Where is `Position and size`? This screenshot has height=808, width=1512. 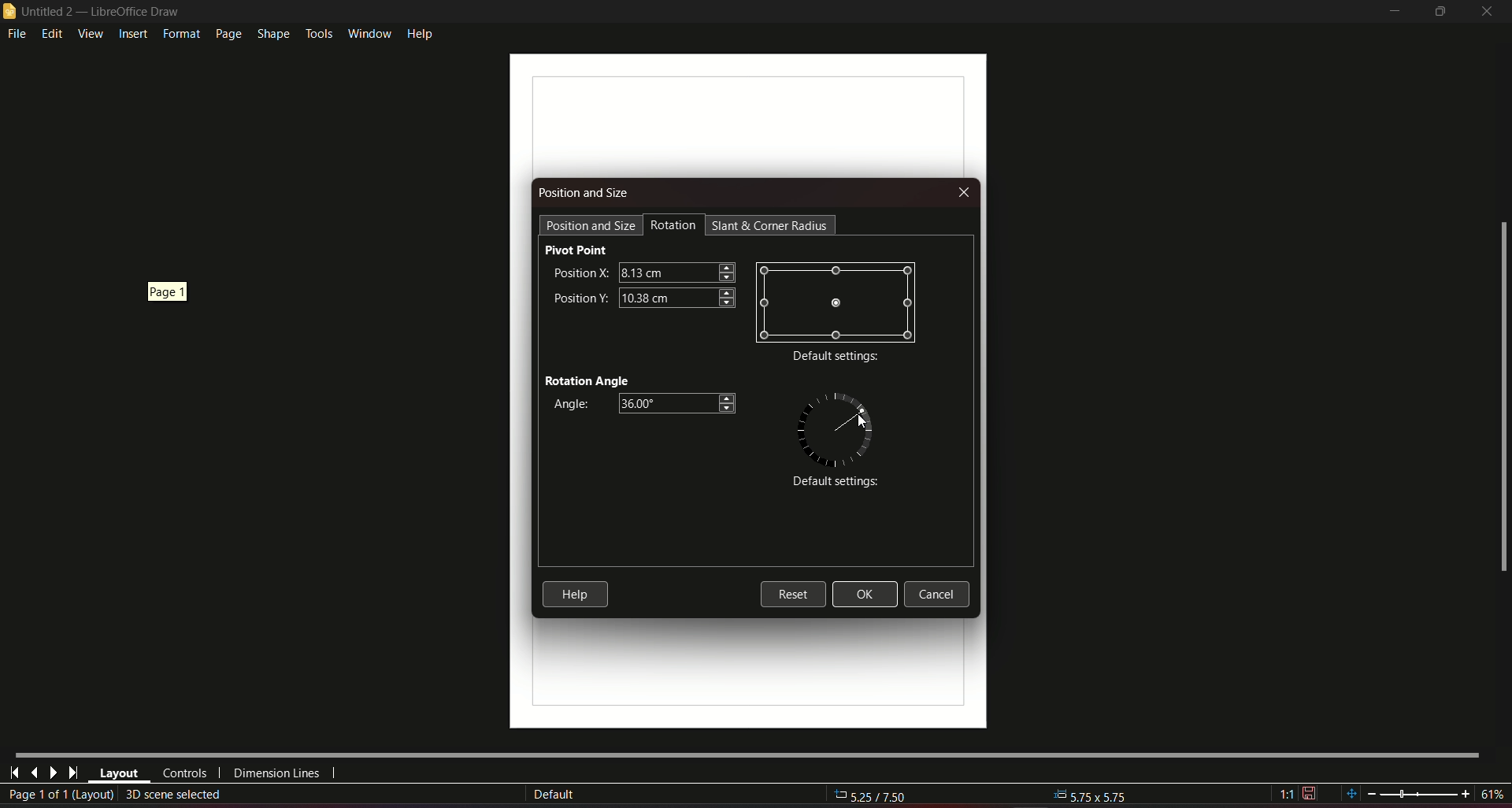
Position and size is located at coordinates (585, 193).